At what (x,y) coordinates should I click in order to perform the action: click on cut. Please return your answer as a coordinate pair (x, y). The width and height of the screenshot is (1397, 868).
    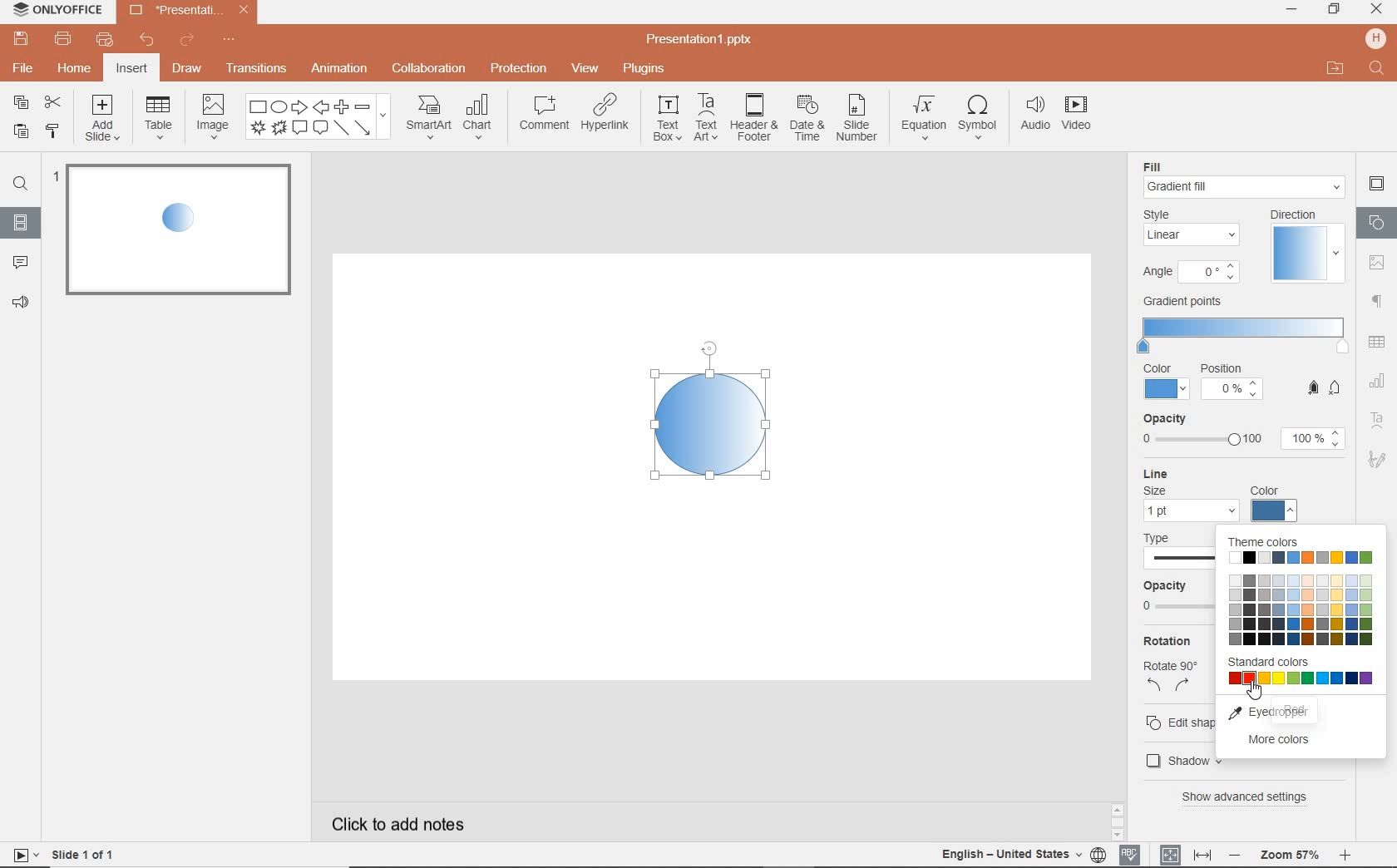
    Looking at the image, I should click on (52, 102).